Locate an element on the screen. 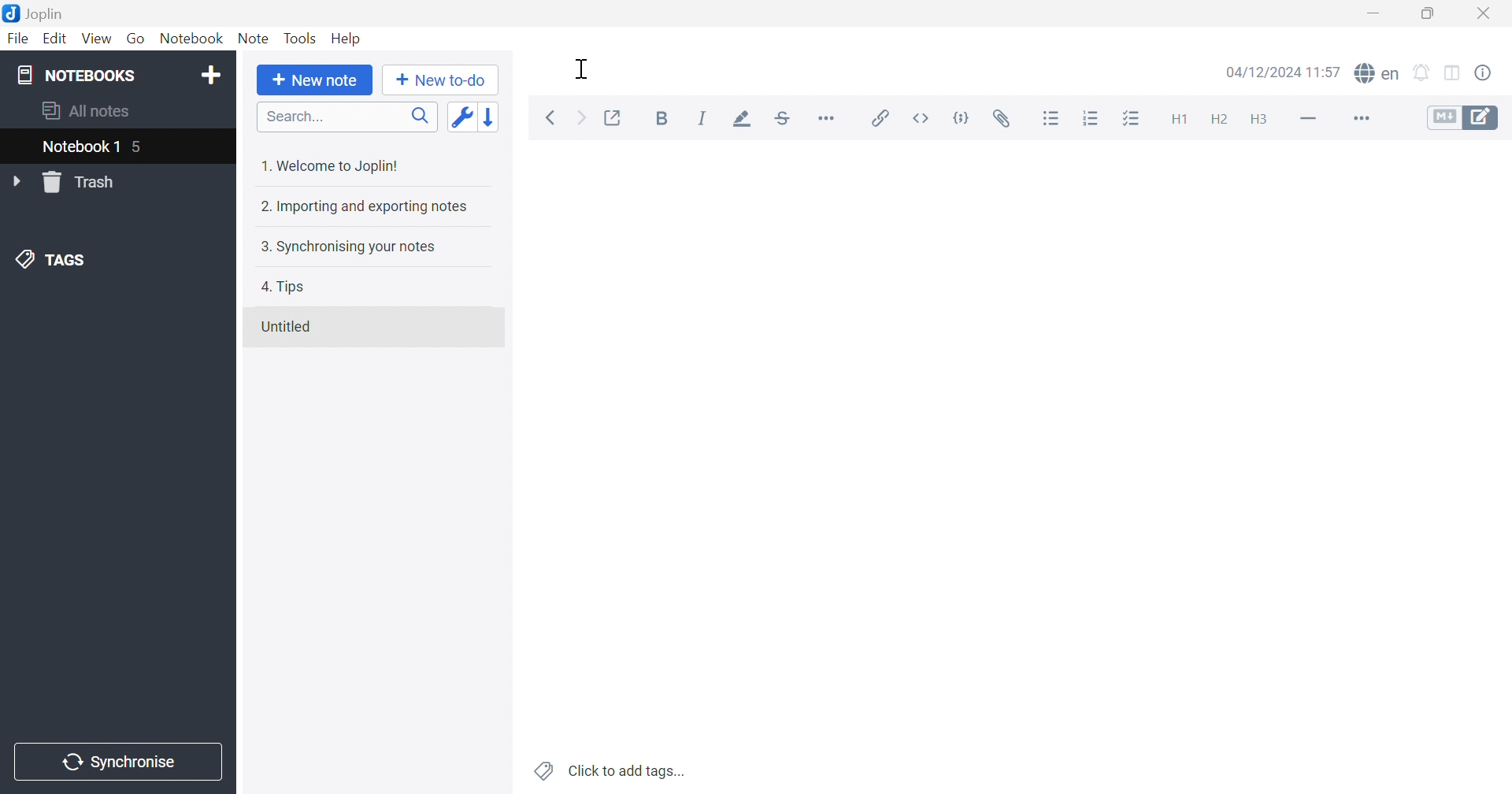  NOTEBOOKS is located at coordinates (75, 74).